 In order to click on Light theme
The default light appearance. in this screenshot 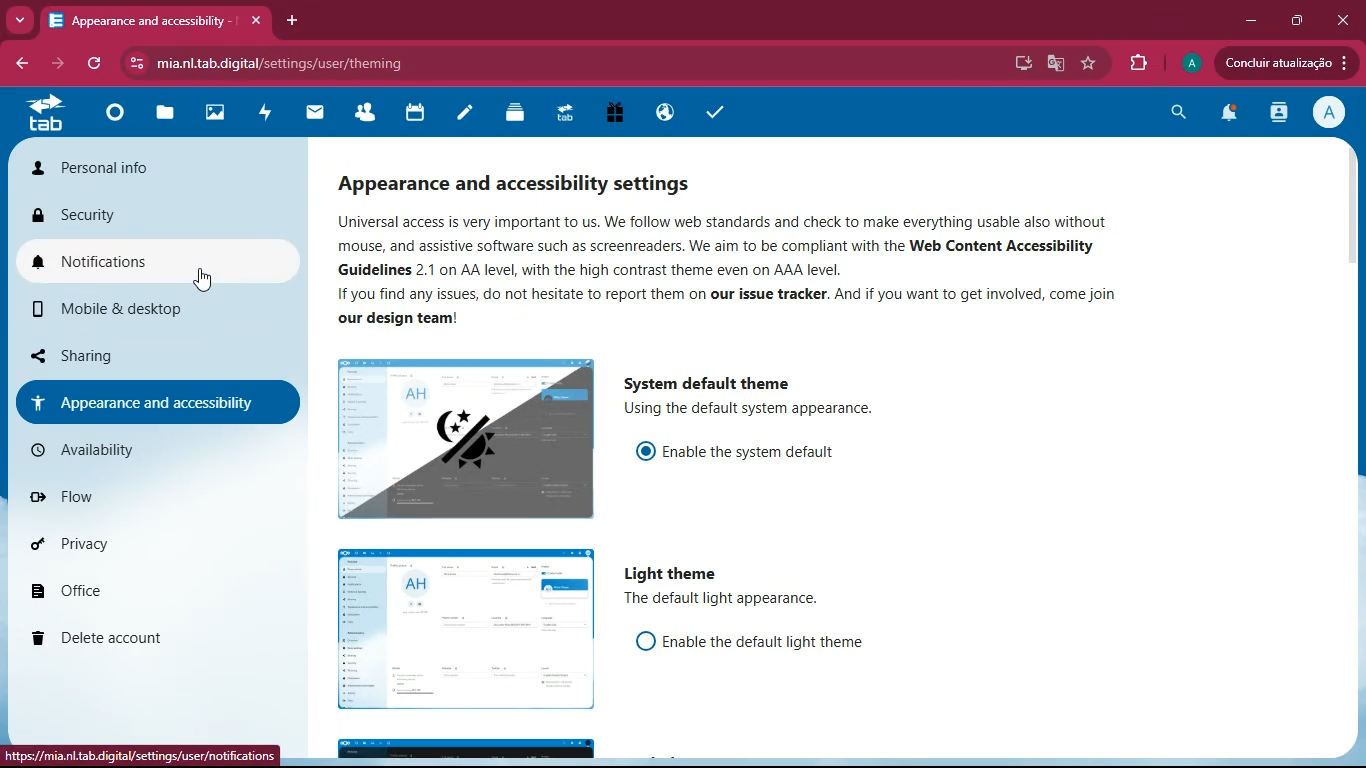, I will do `click(722, 586)`.